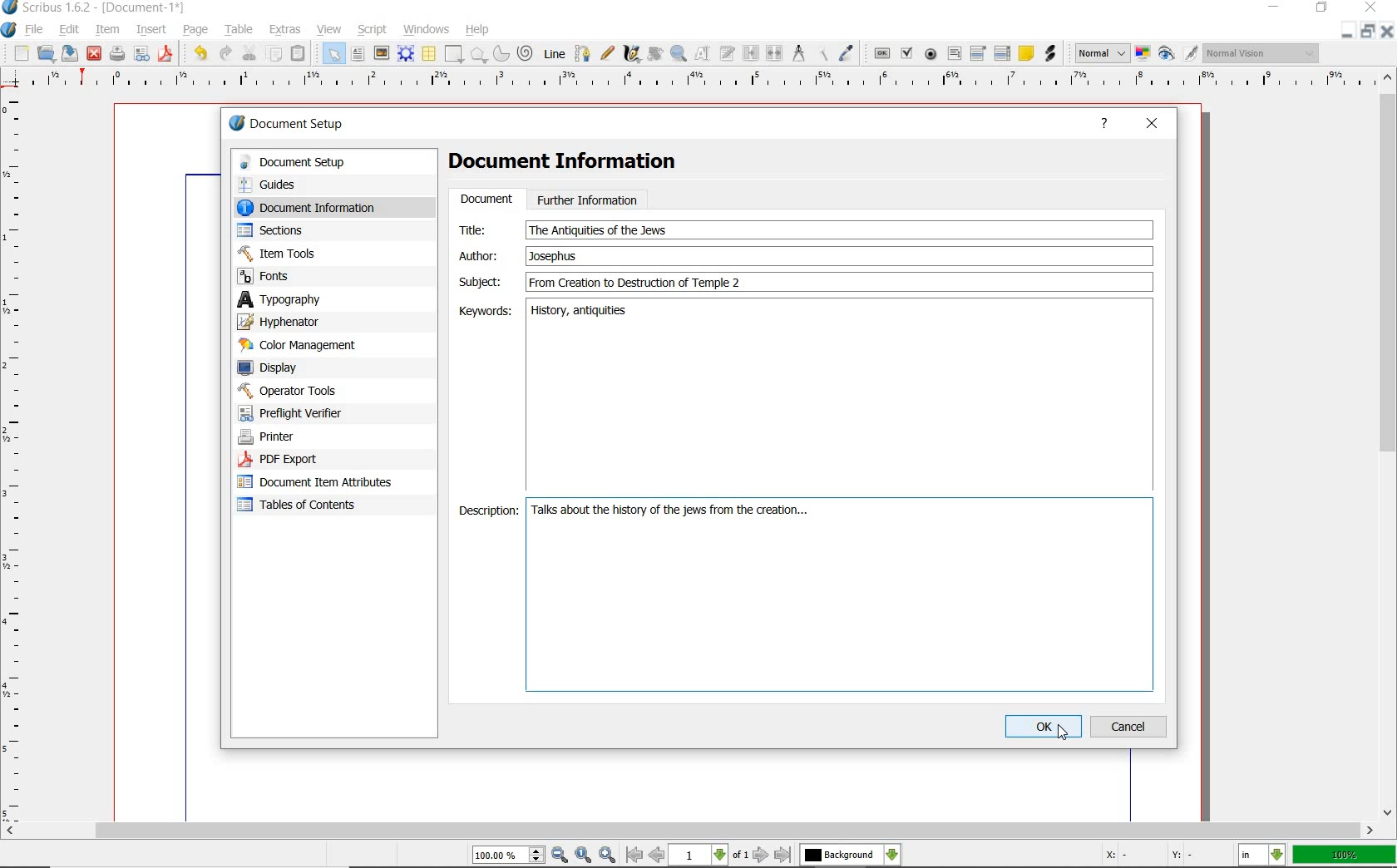 This screenshot has width=1397, height=868. What do you see at coordinates (908, 52) in the screenshot?
I see `pdf check box` at bounding box center [908, 52].